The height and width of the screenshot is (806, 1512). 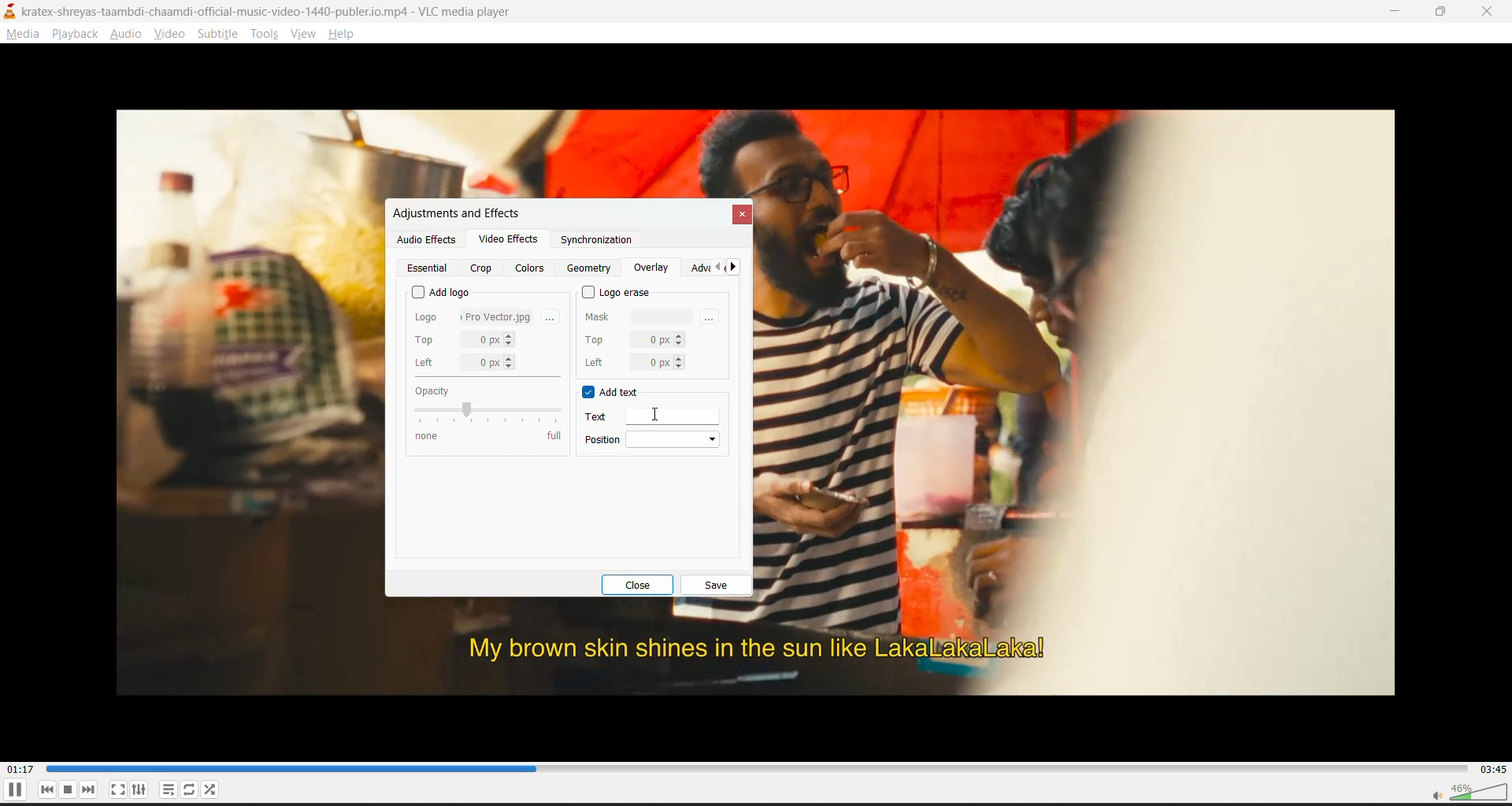 I want to click on track slider, so click(x=751, y=767).